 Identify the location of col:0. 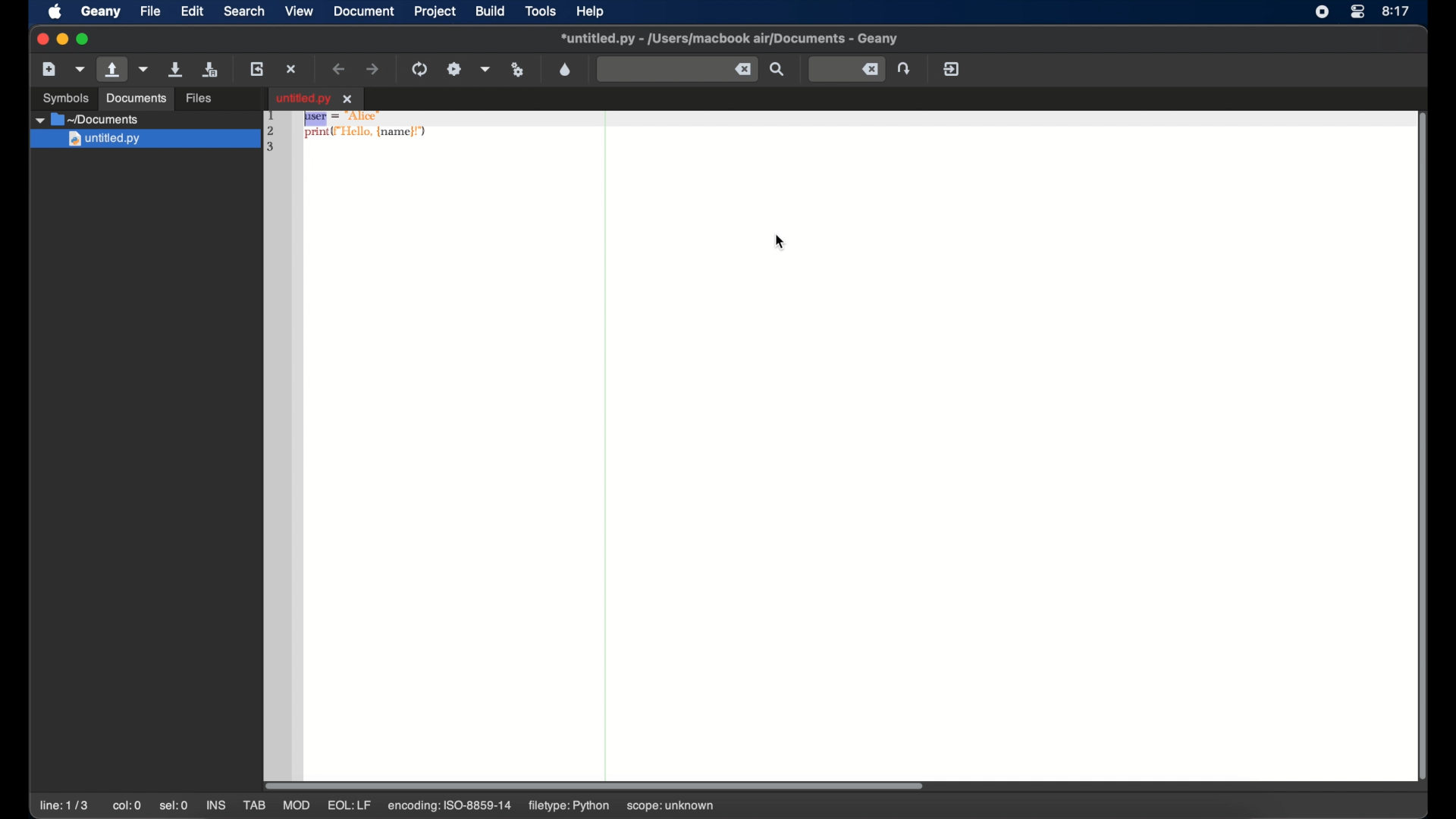
(127, 805).